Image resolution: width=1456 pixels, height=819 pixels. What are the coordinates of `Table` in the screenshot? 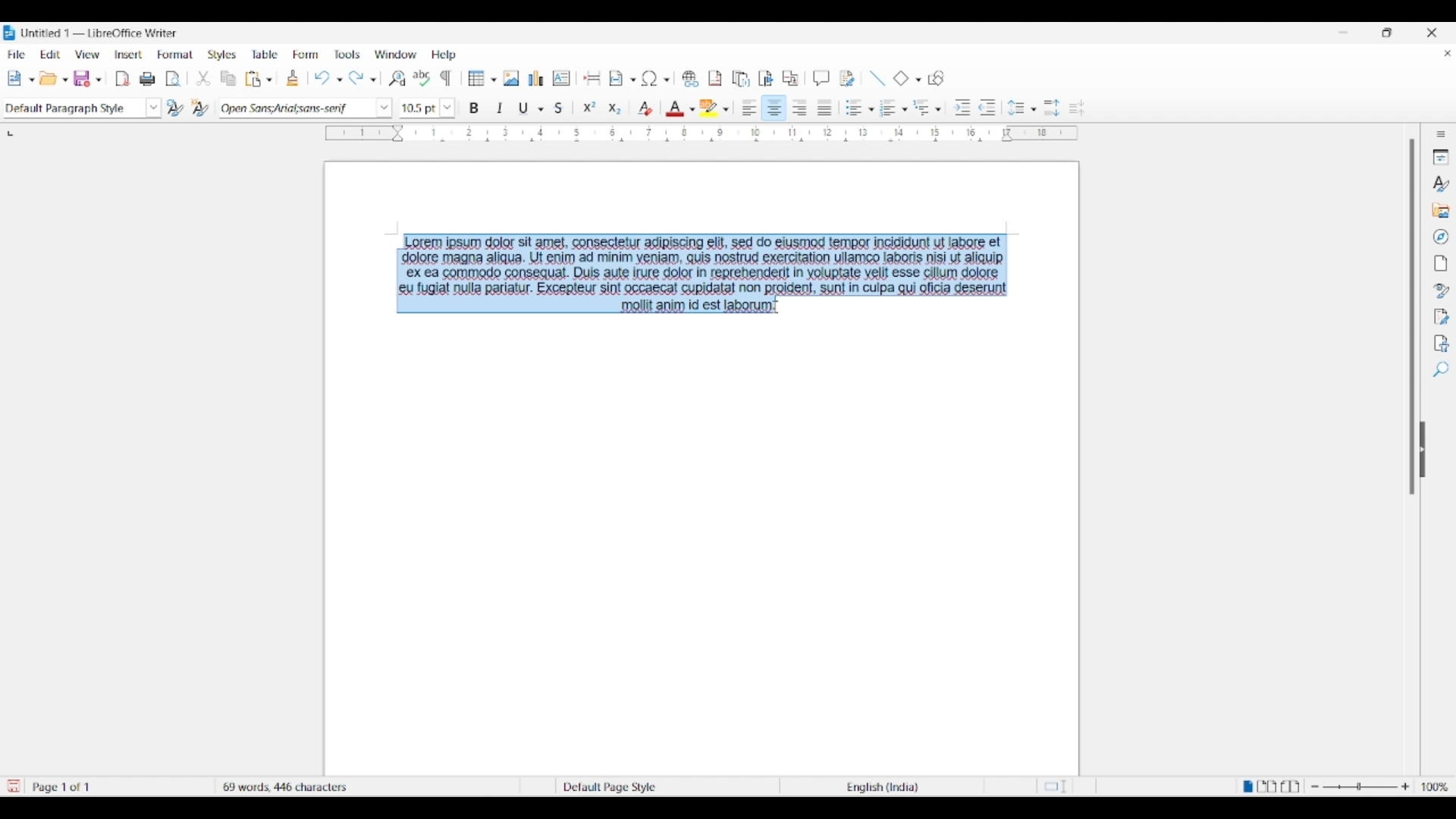 It's located at (265, 54).